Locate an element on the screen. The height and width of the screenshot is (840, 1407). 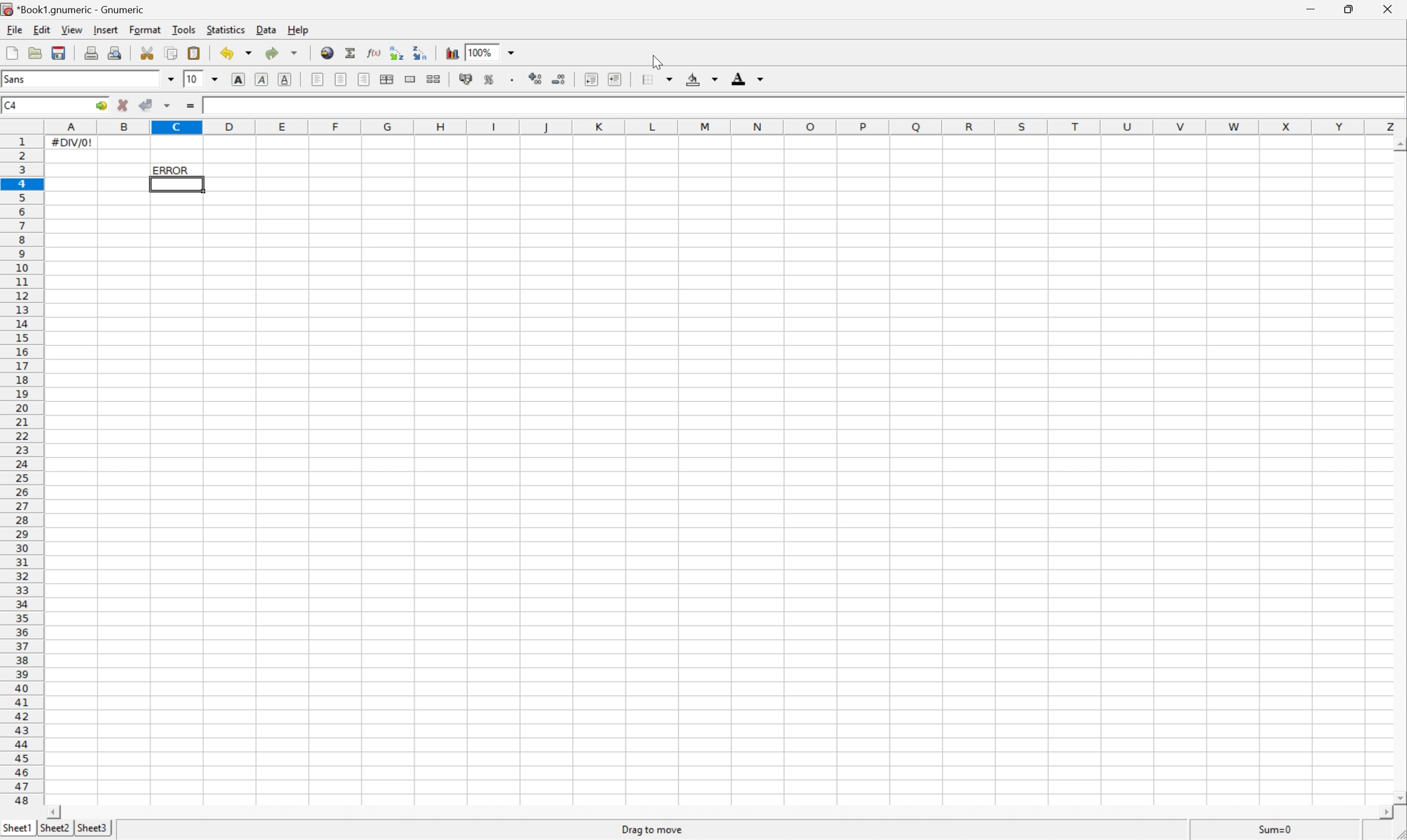
Align left is located at coordinates (319, 80).